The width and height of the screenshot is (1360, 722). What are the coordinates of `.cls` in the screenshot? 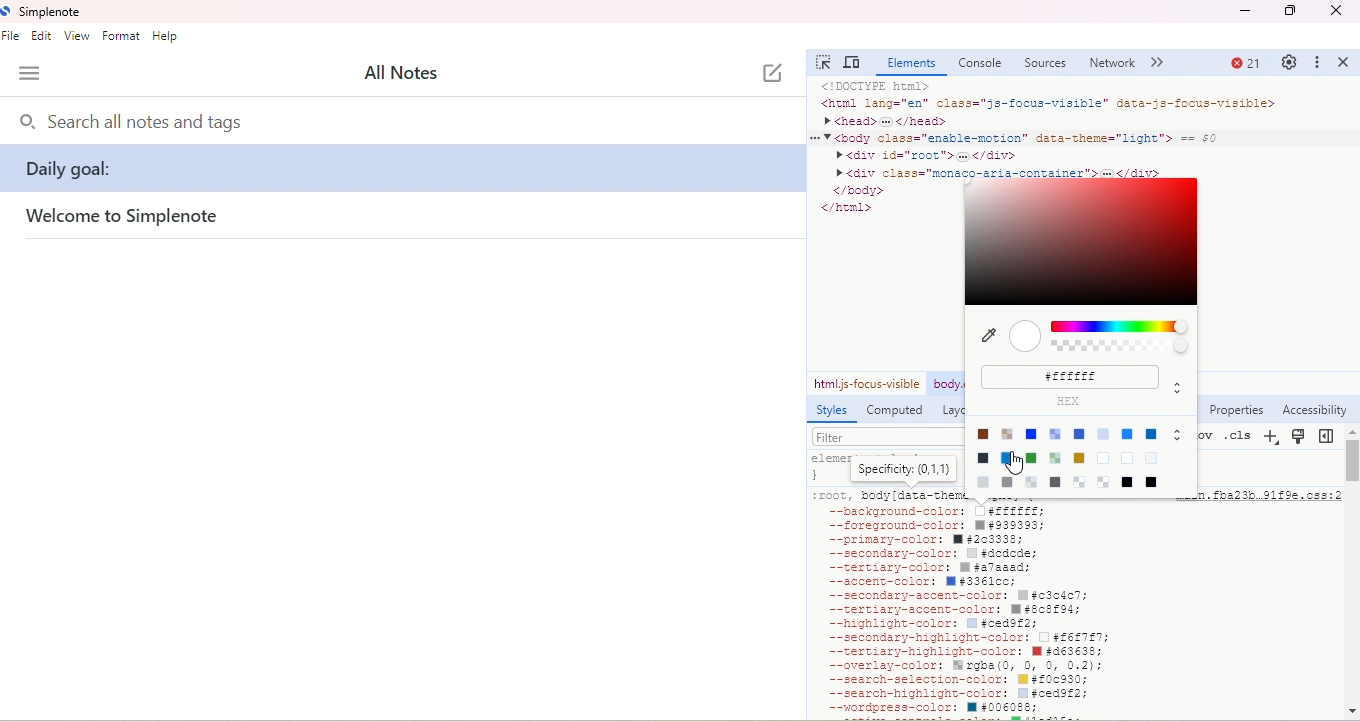 It's located at (1238, 436).